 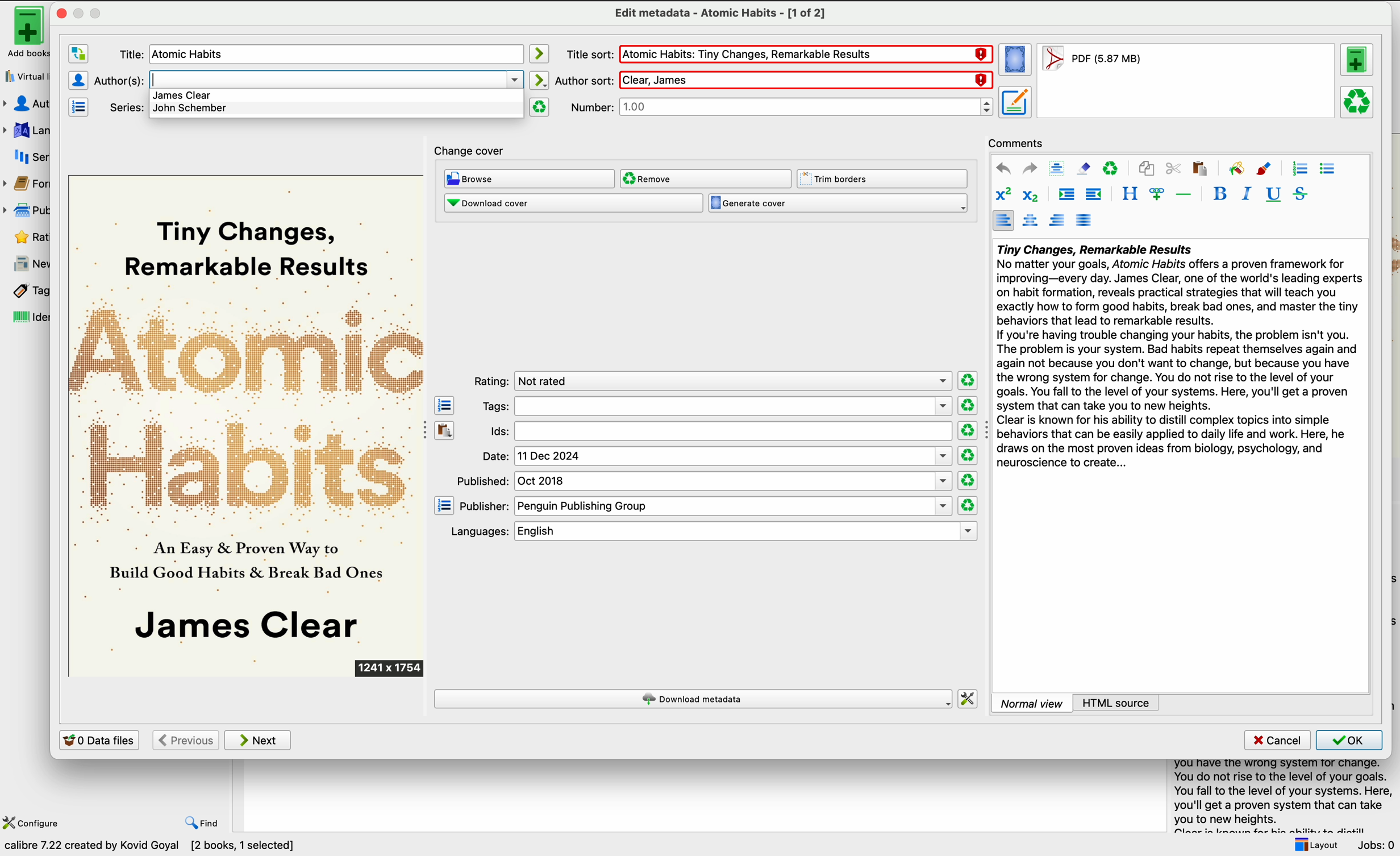 What do you see at coordinates (182, 95) in the screenshot?
I see `james clear author` at bounding box center [182, 95].